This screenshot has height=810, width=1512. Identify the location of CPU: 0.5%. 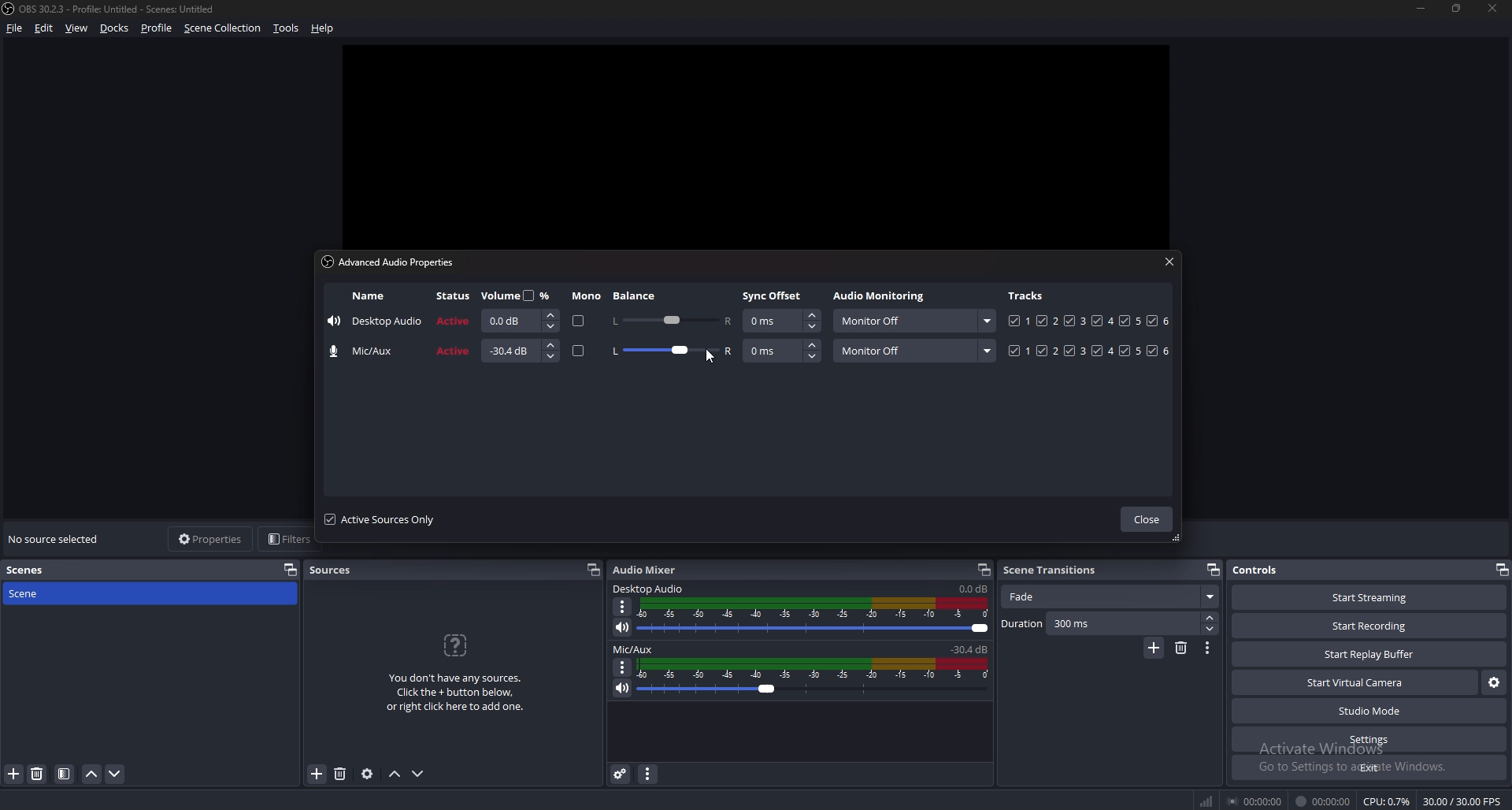
(1388, 802).